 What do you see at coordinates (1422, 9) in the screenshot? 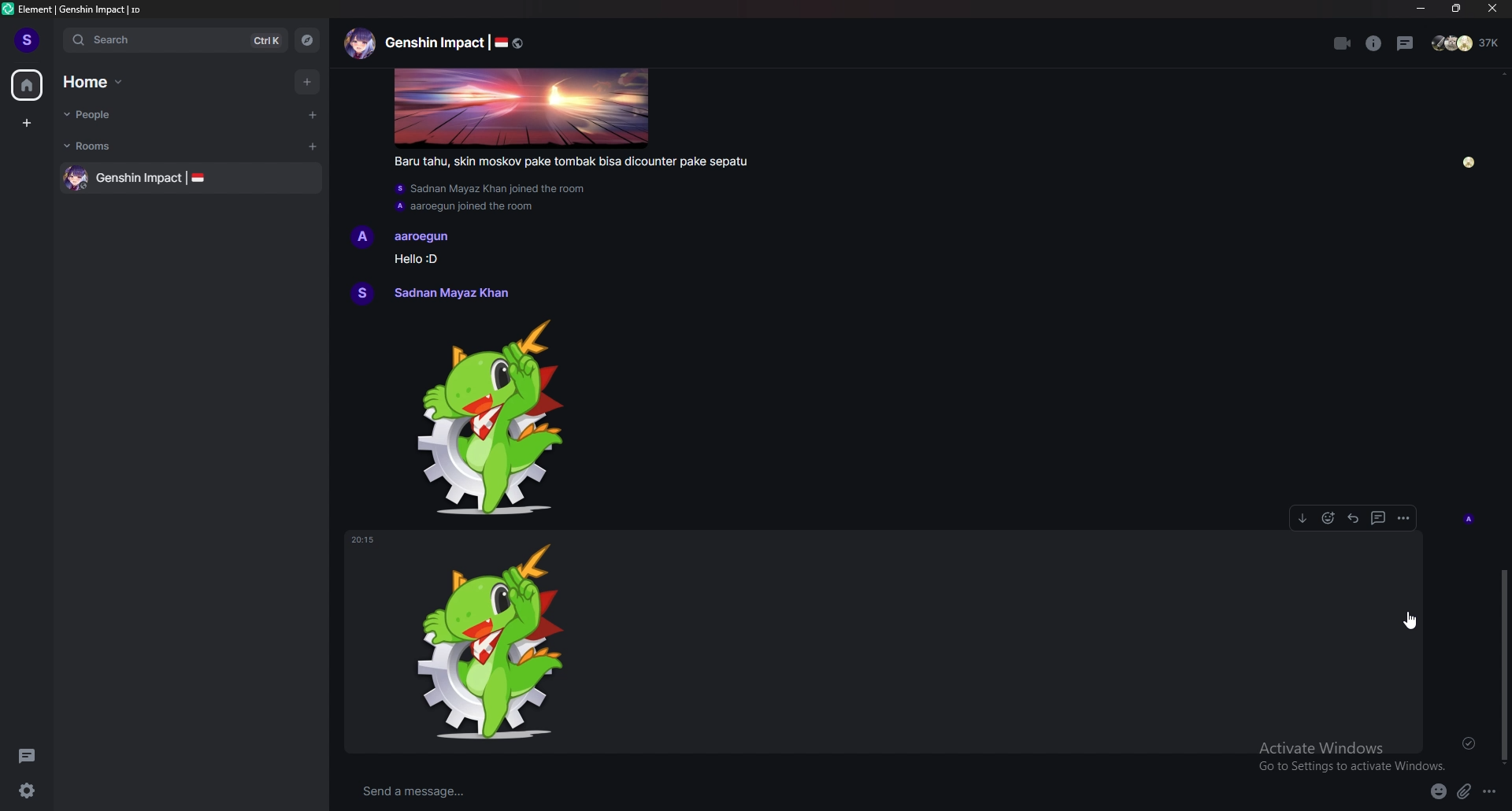
I see `minimize` at bounding box center [1422, 9].